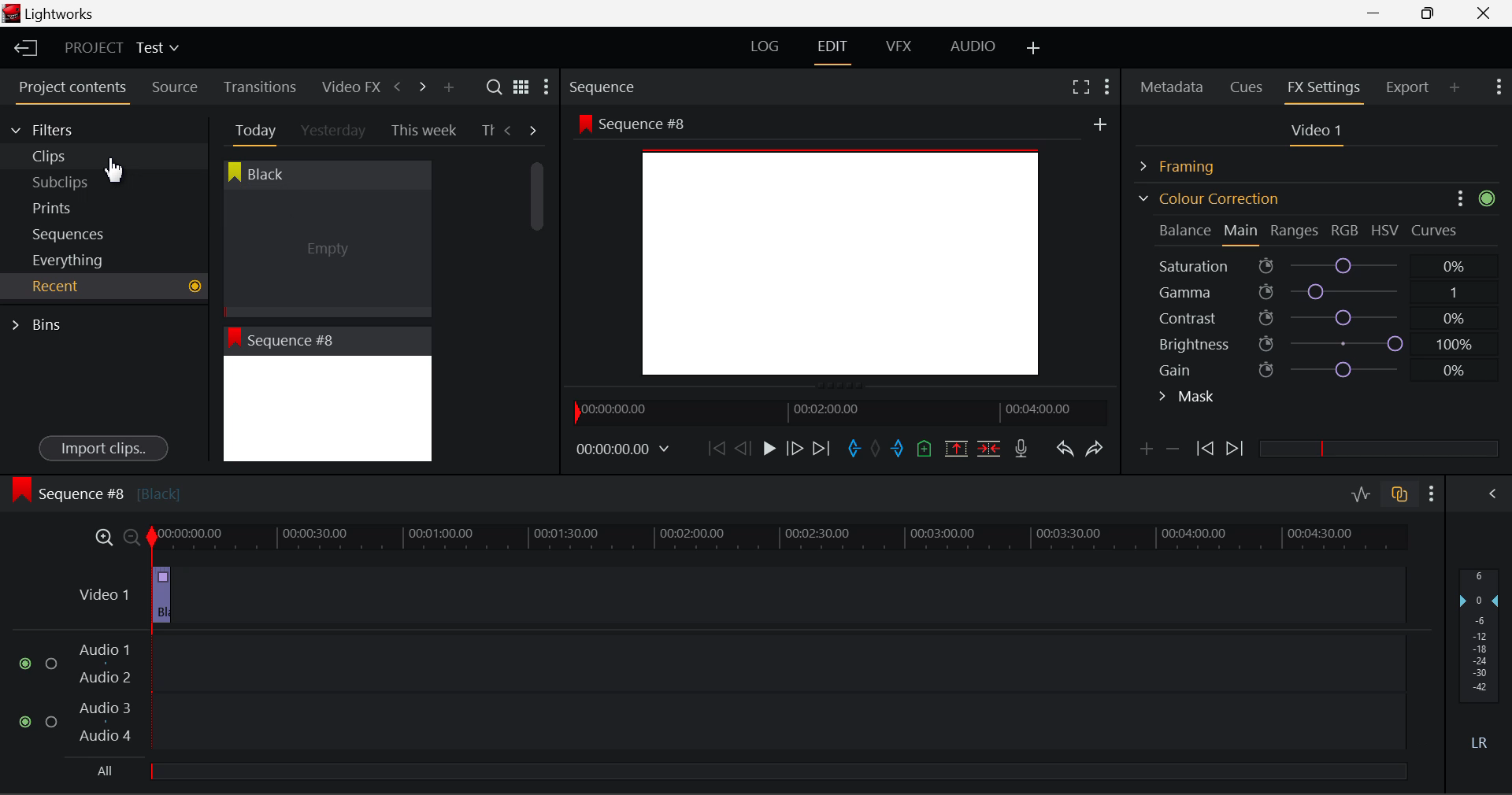  What do you see at coordinates (1248, 85) in the screenshot?
I see `Cues Panel` at bounding box center [1248, 85].